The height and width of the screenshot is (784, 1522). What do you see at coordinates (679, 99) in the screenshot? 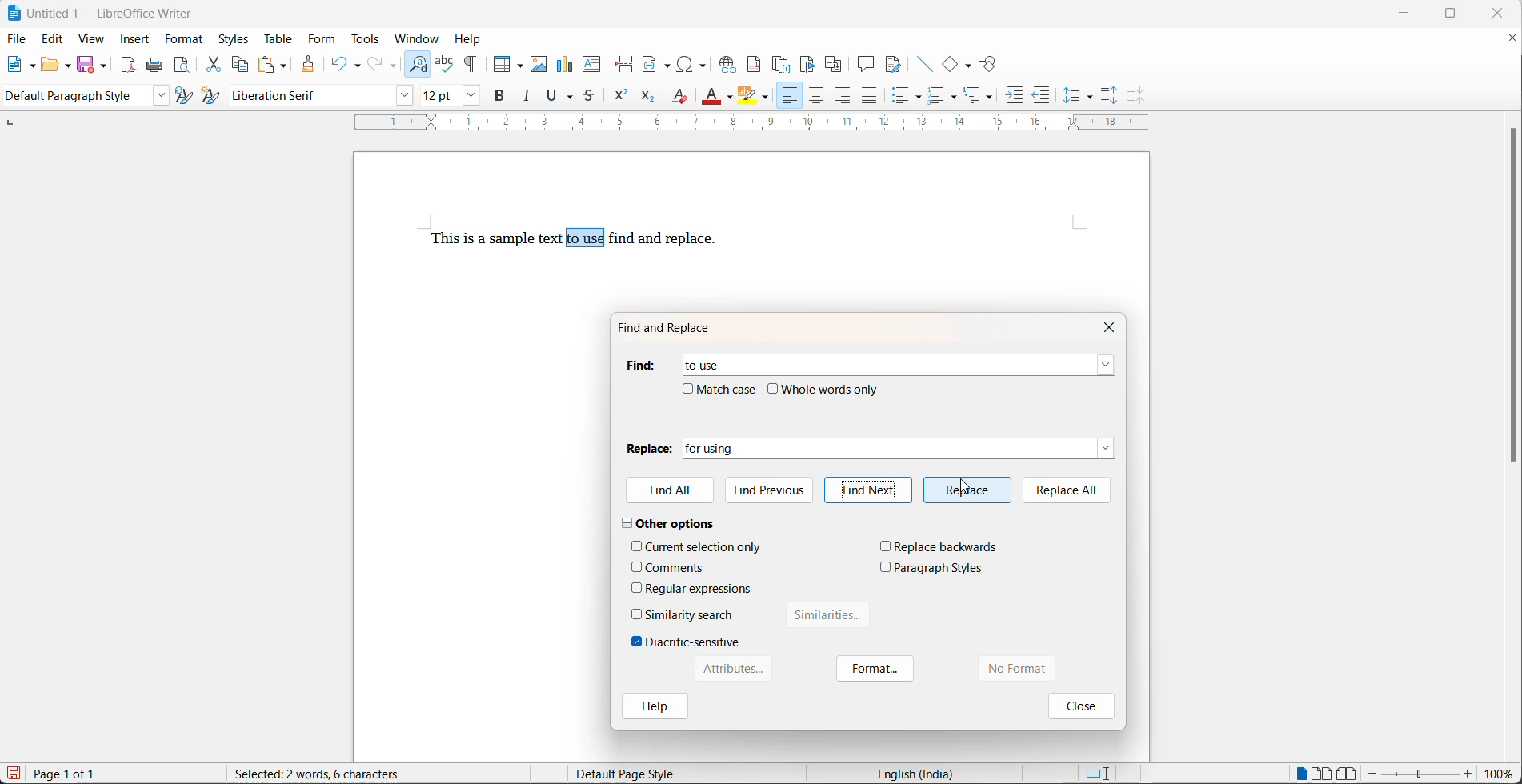
I see `clear direct formatting` at bounding box center [679, 99].